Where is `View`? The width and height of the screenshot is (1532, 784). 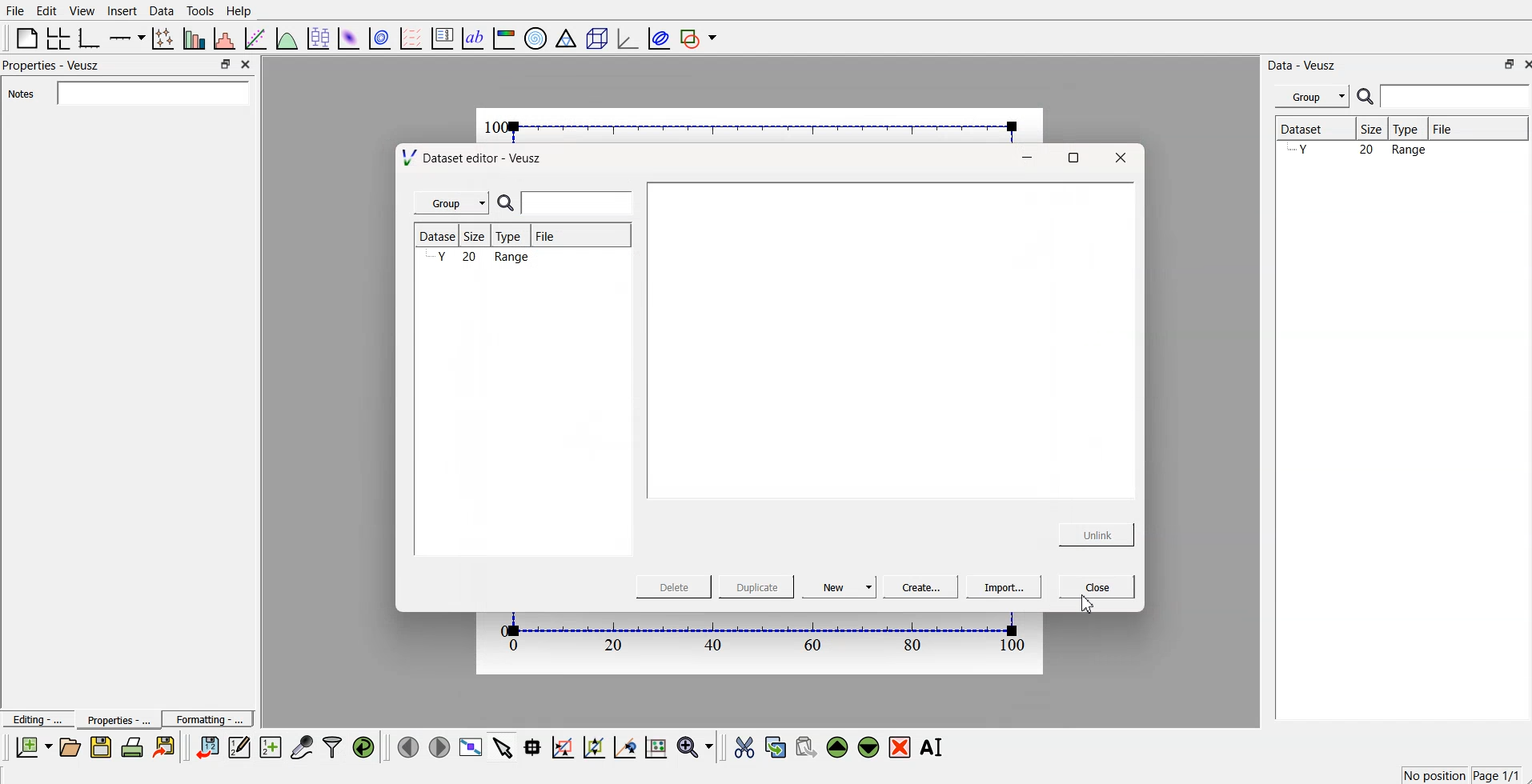
View is located at coordinates (82, 10).